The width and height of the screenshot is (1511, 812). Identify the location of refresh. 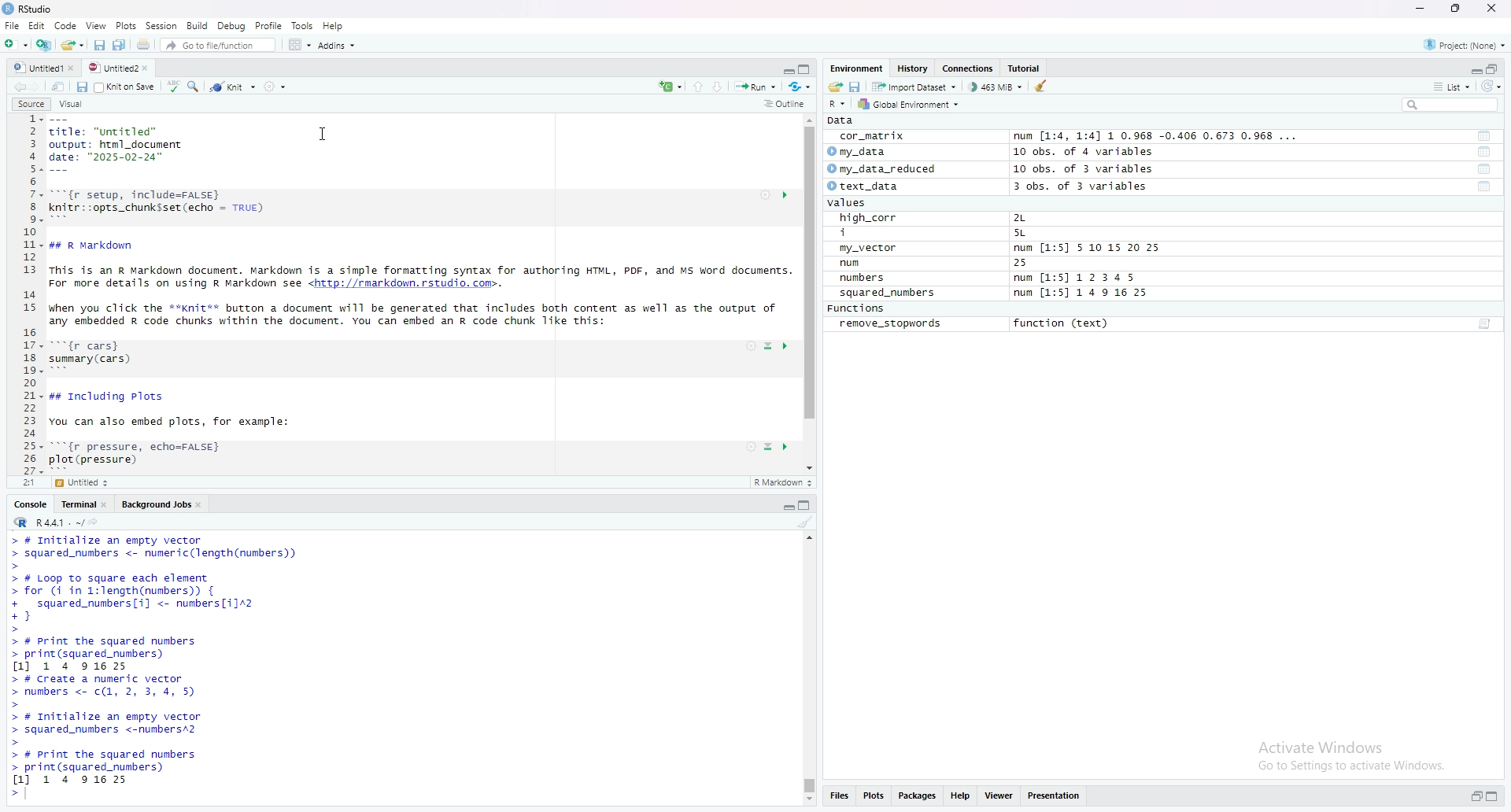
(800, 88).